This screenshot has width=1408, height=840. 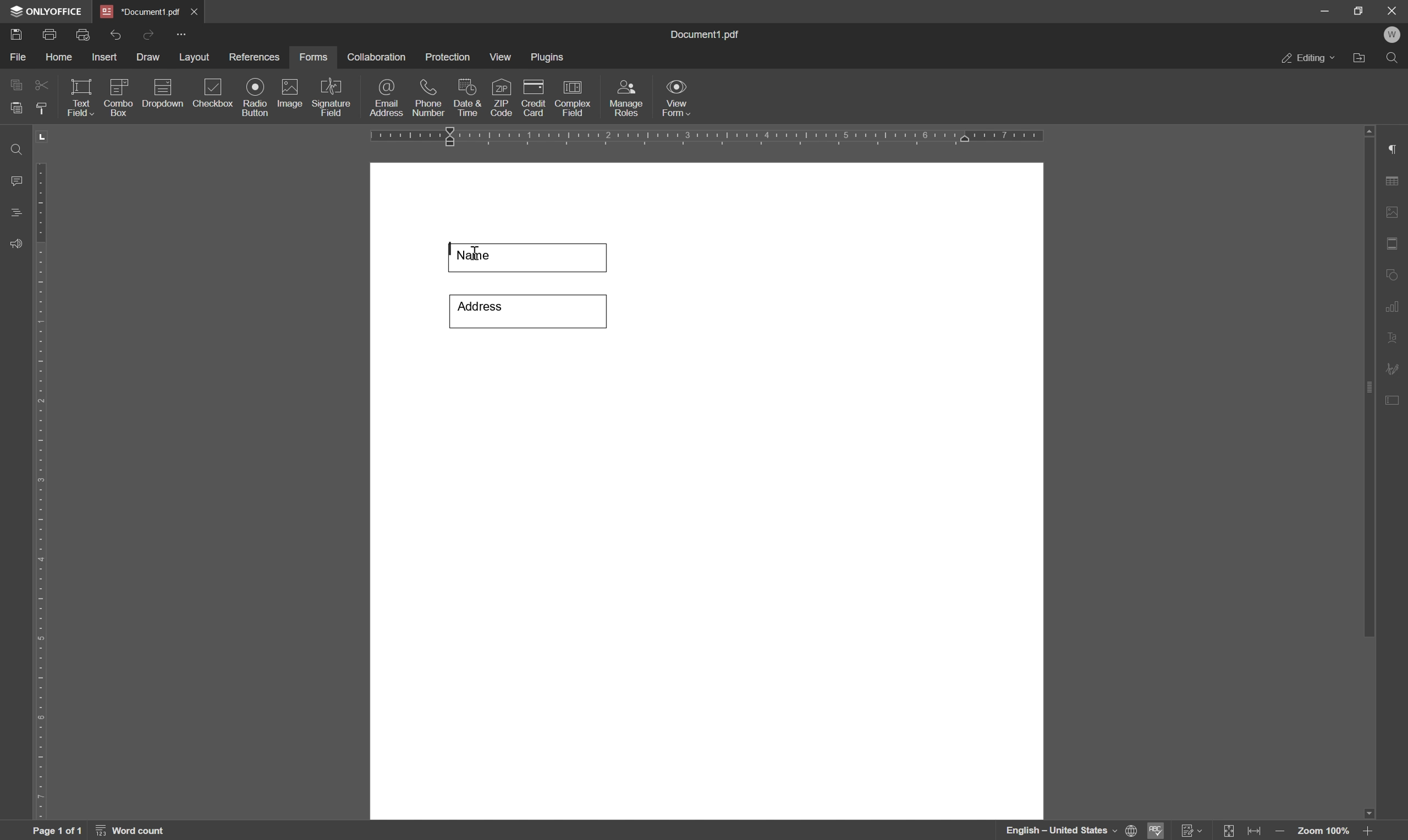 I want to click on checkbox, so click(x=213, y=93).